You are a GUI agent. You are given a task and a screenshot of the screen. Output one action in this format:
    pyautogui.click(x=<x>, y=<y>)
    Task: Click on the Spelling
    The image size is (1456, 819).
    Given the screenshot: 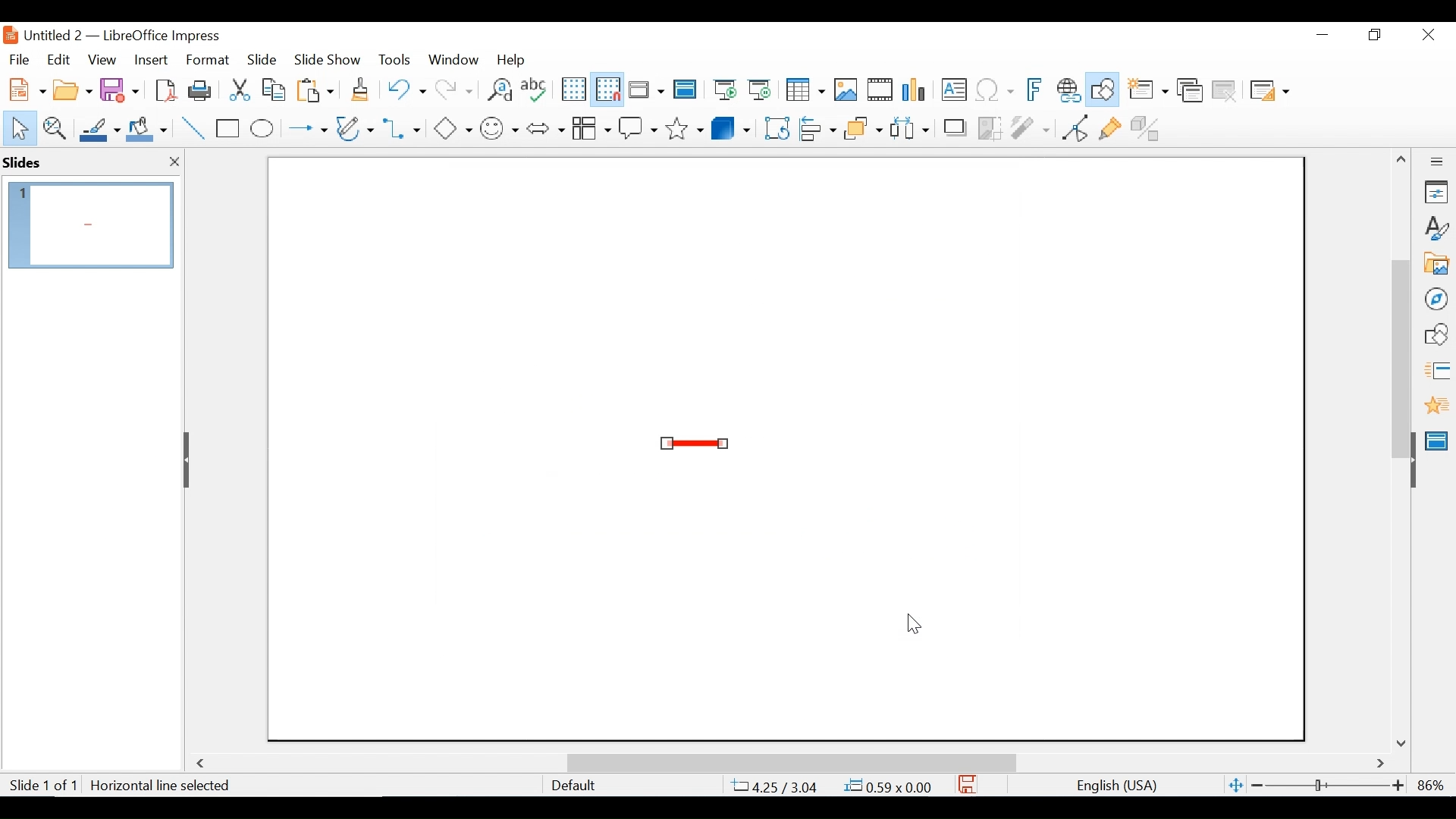 What is the action you would take?
    pyautogui.click(x=536, y=89)
    